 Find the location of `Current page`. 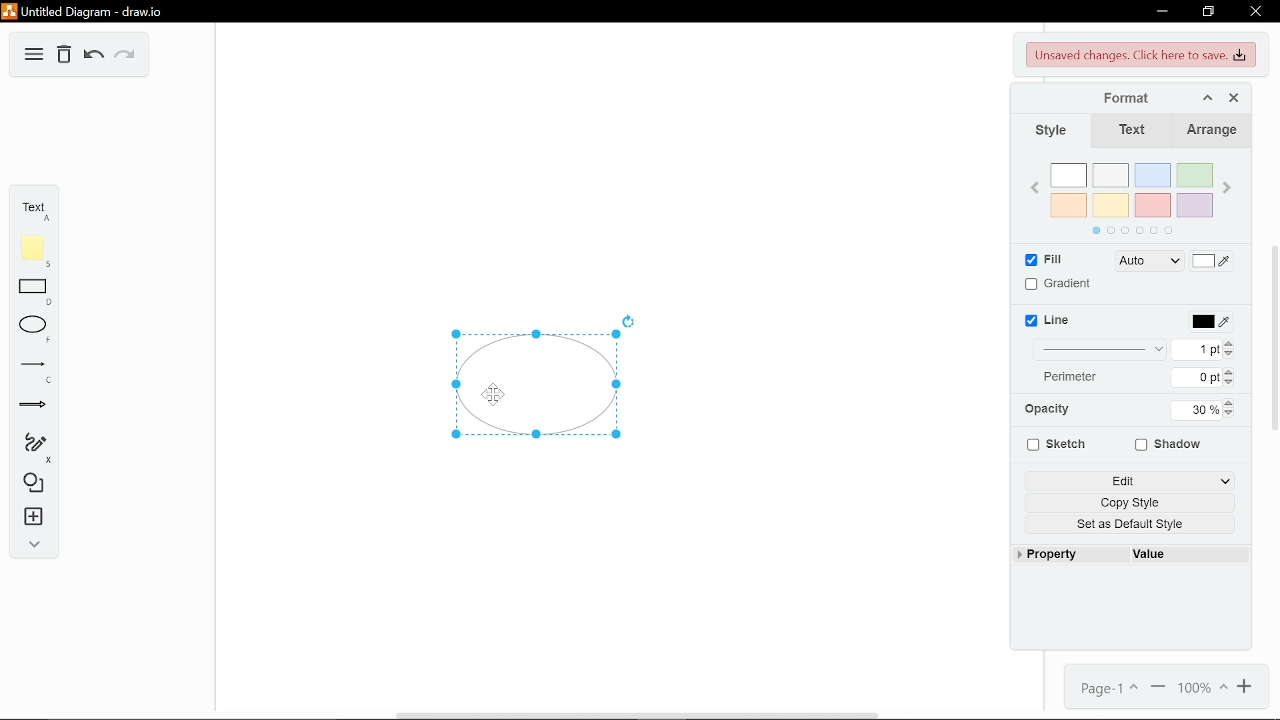

Current page is located at coordinates (1110, 689).